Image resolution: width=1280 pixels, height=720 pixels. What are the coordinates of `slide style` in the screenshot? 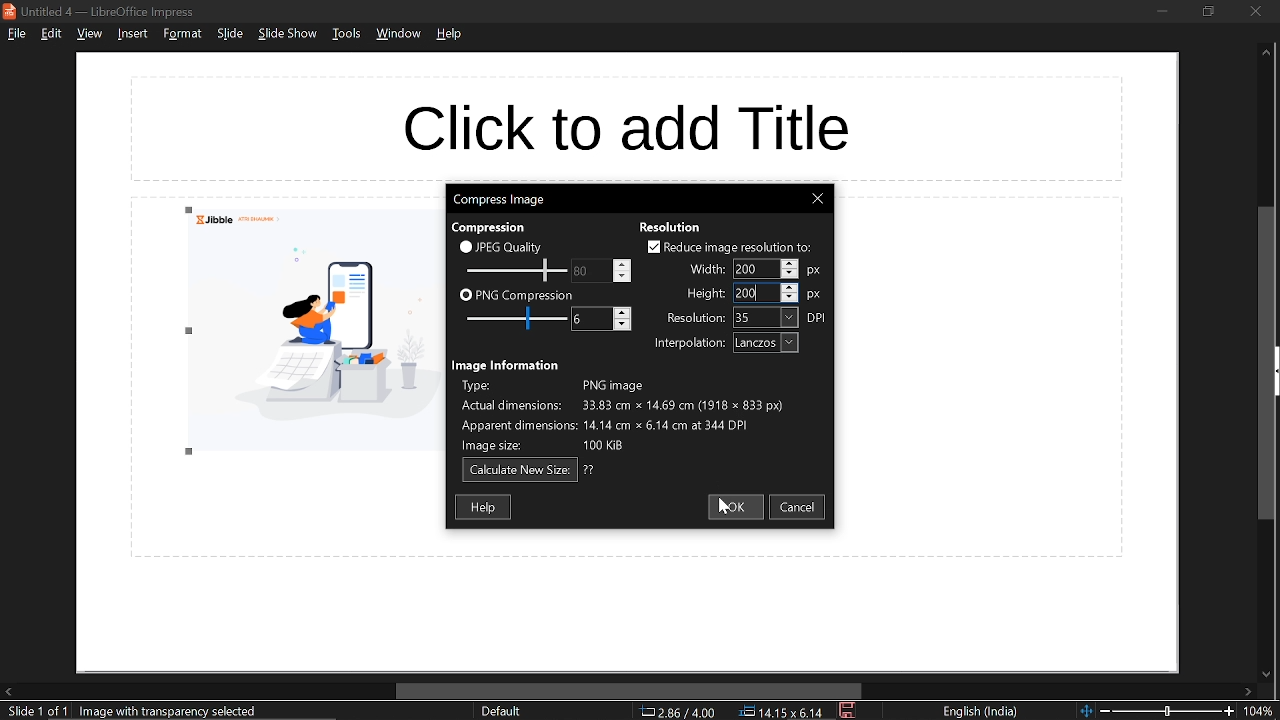 It's located at (501, 711).